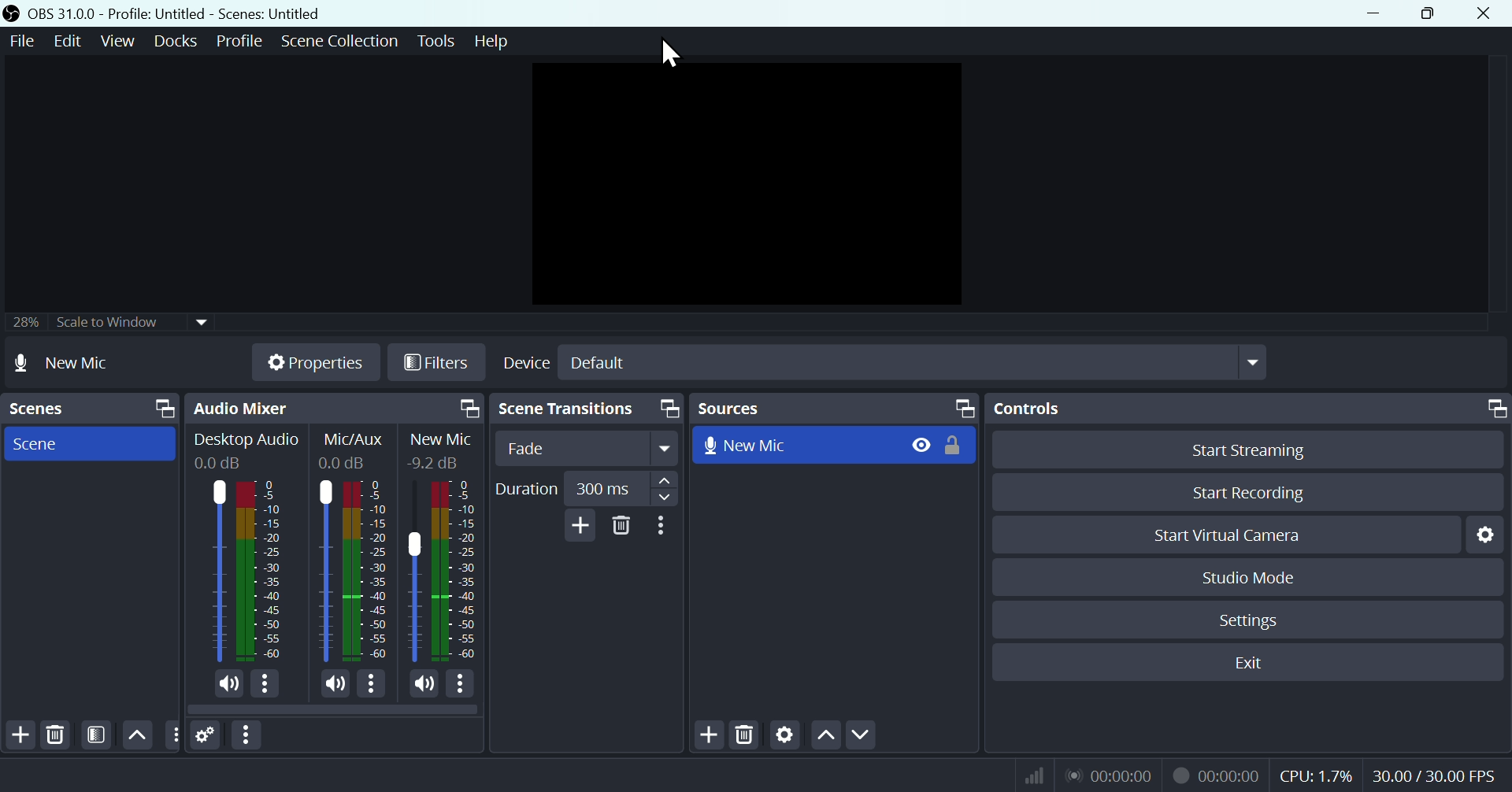 This screenshot has width=1512, height=792. Describe the element at coordinates (331, 686) in the screenshot. I see `(un)mute` at that location.